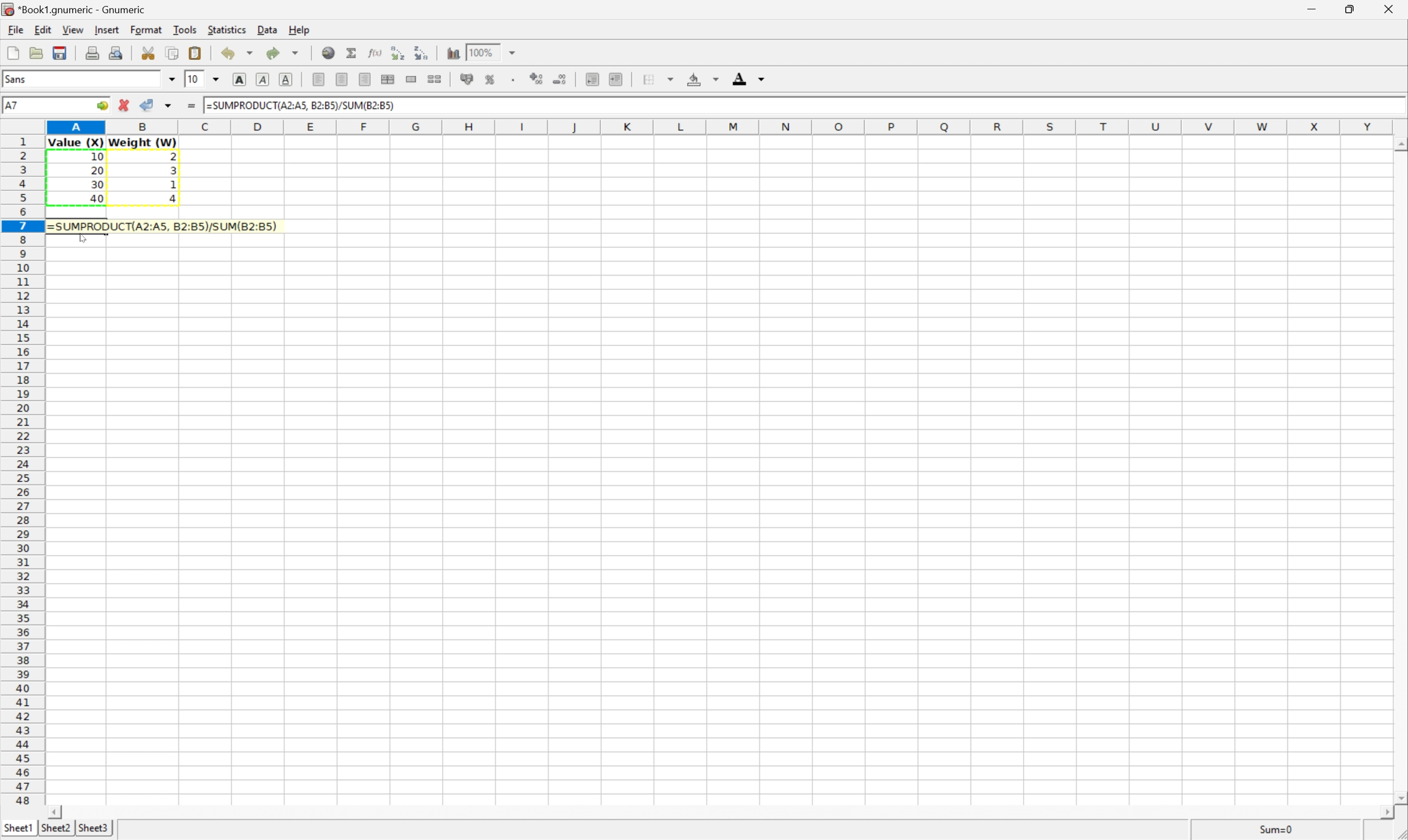  Describe the element at coordinates (1399, 796) in the screenshot. I see `Scroll Down` at that location.